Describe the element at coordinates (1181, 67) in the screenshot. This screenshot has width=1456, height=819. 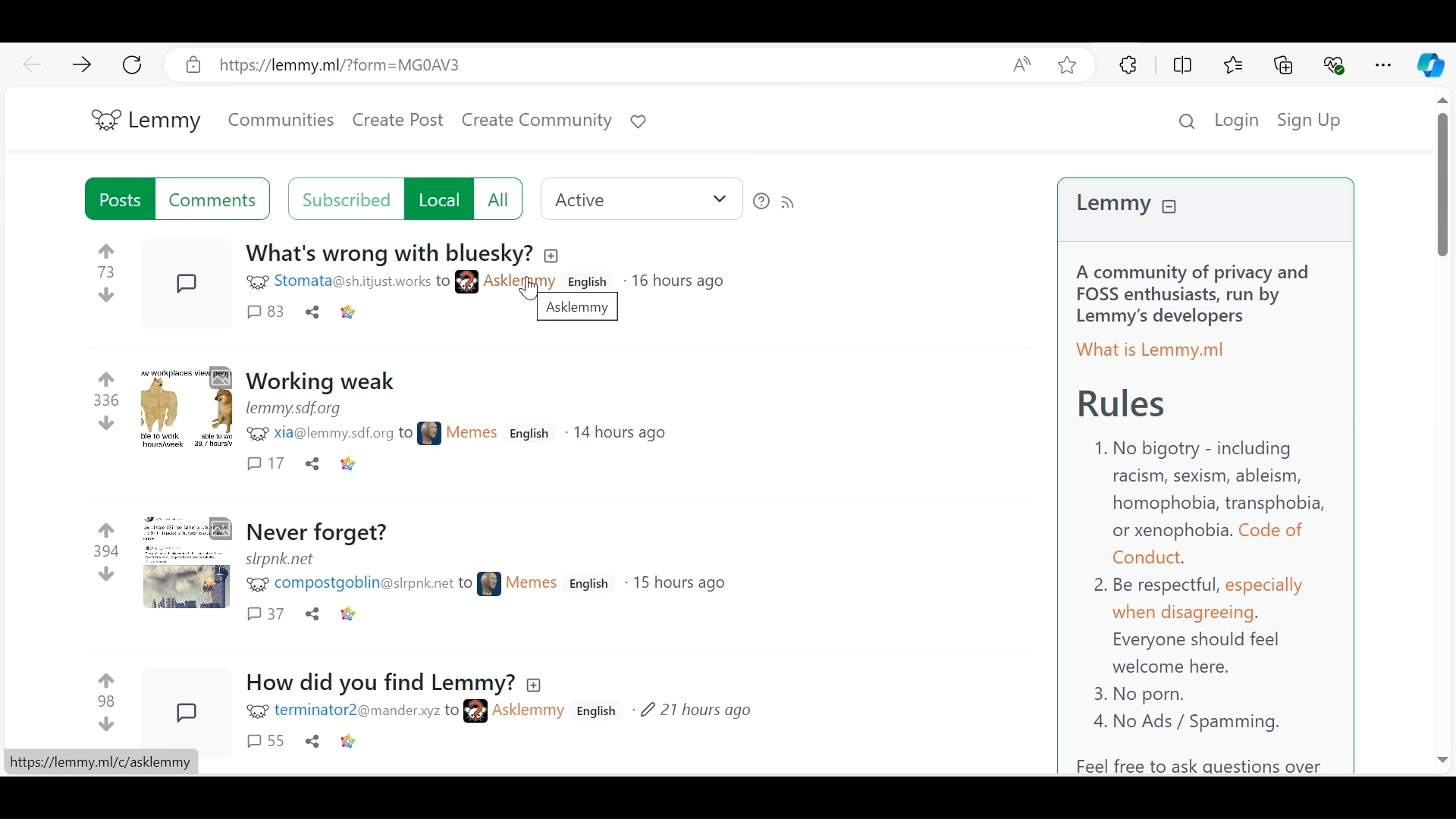
I see `Split screen` at that location.